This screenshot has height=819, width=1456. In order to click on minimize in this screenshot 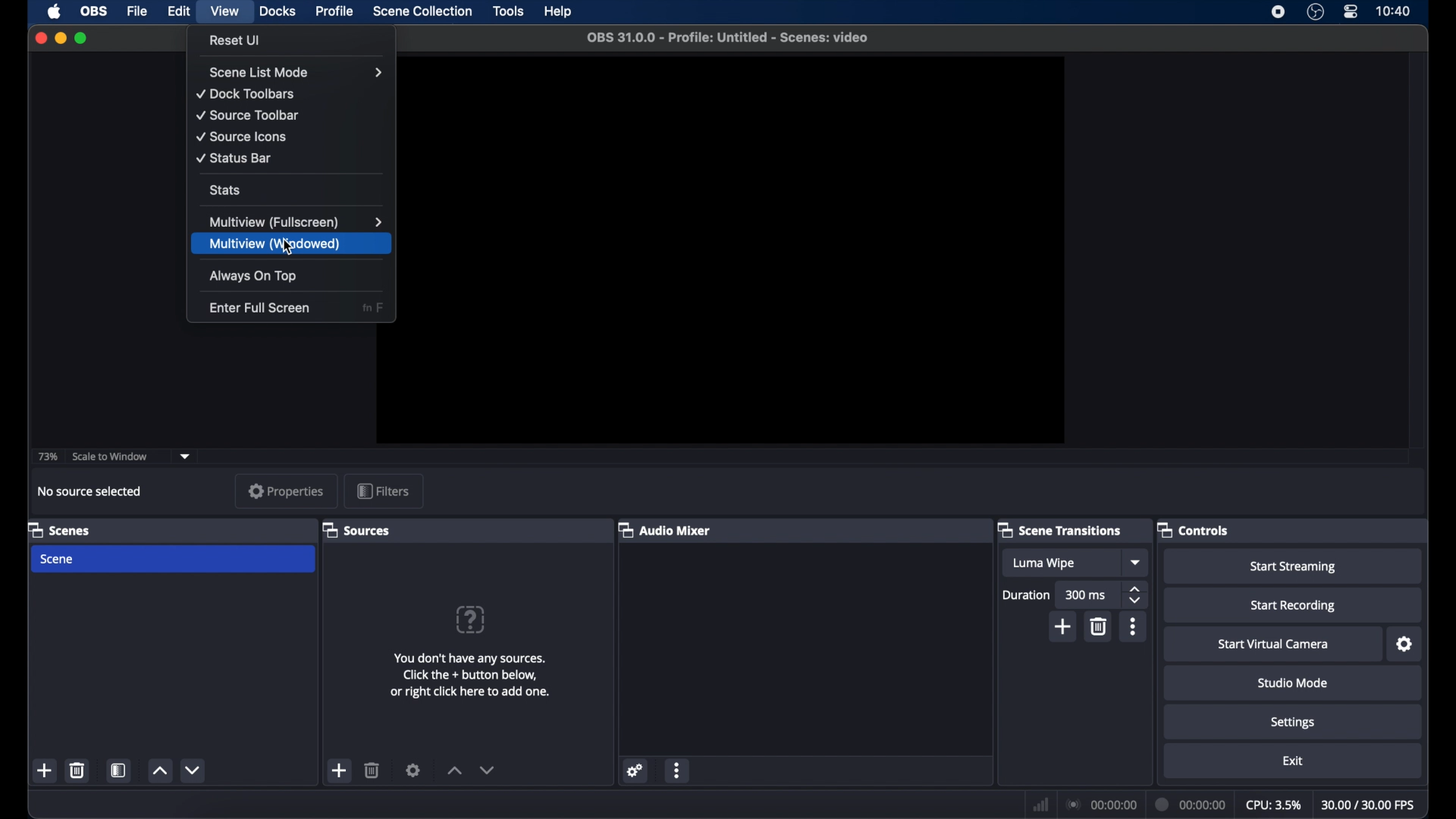, I will do `click(60, 38)`.